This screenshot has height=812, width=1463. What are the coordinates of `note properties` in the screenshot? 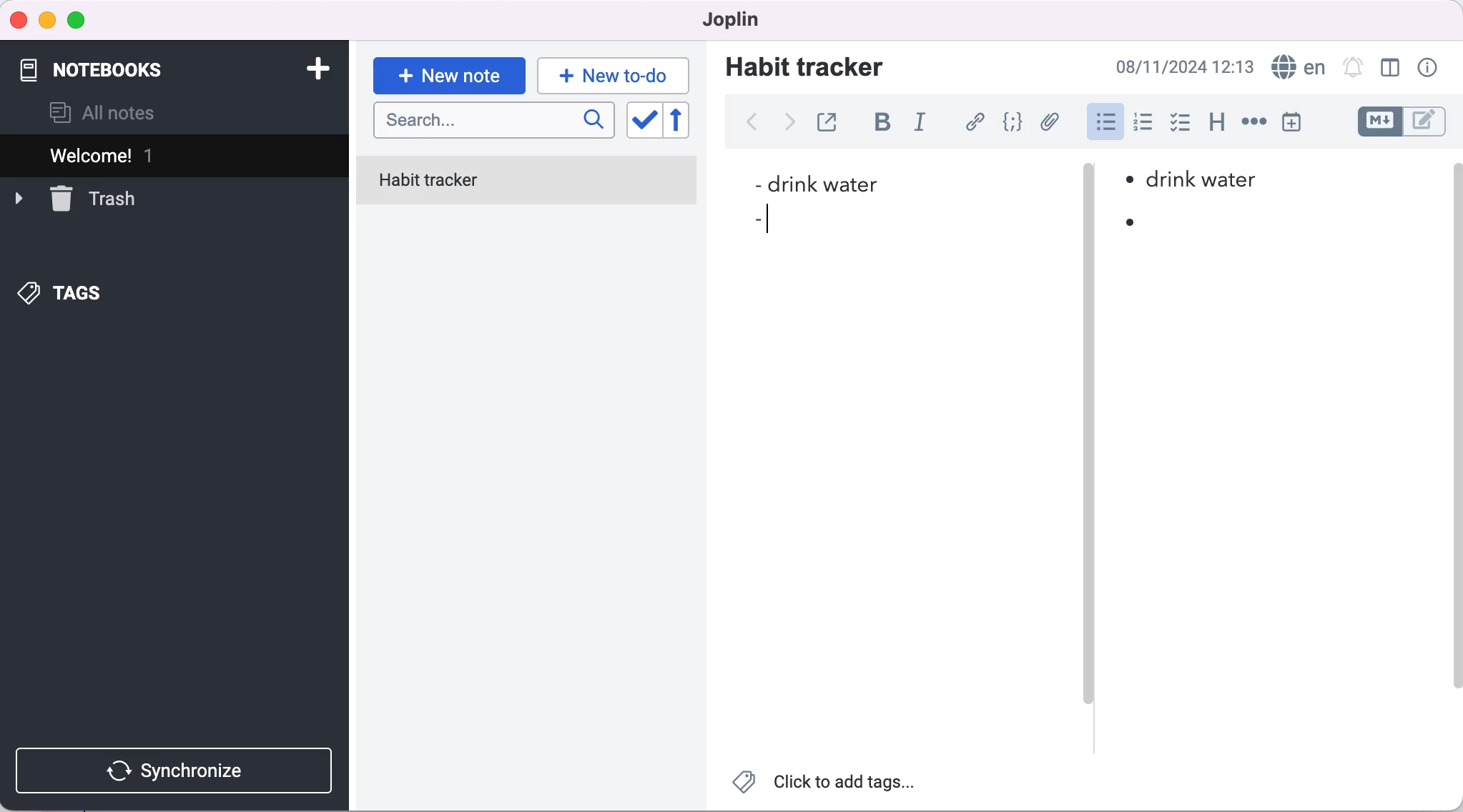 It's located at (1429, 68).